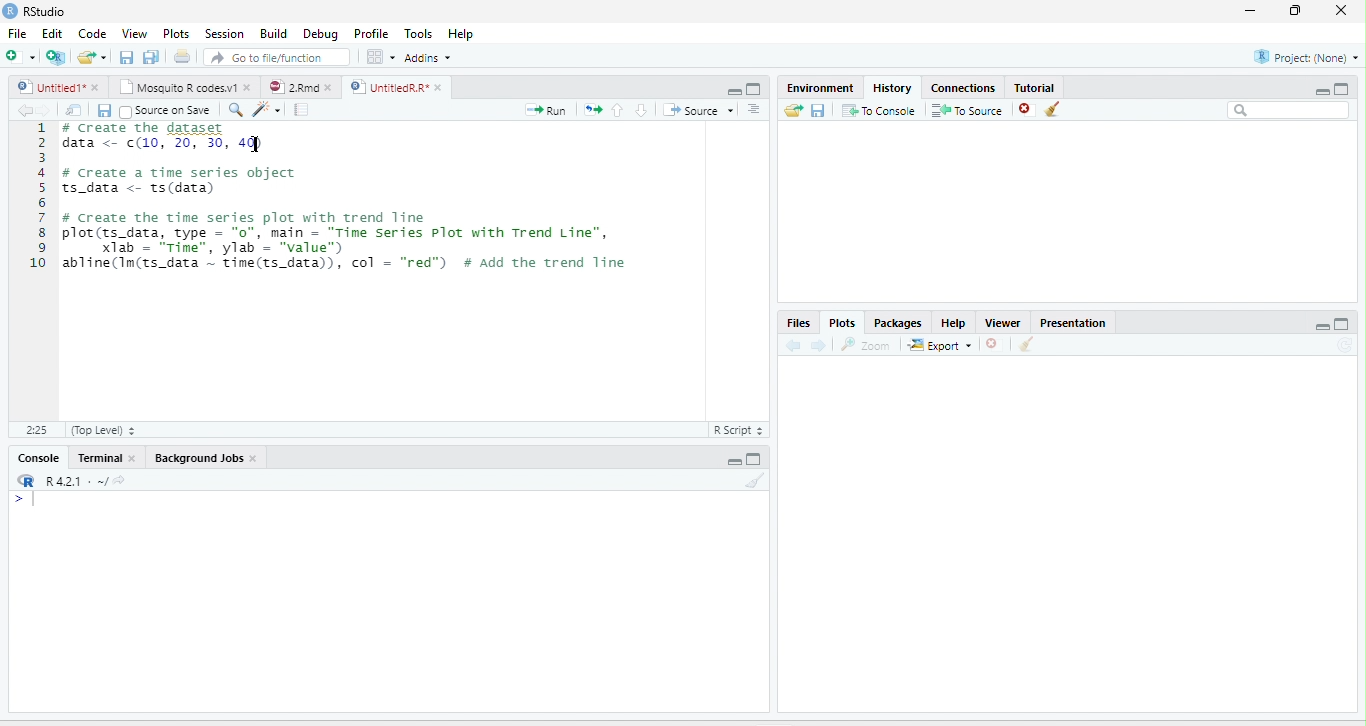 Image resolution: width=1366 pixels, height=726 pixels. I want to click on Find/Replace, so click(236, 110).